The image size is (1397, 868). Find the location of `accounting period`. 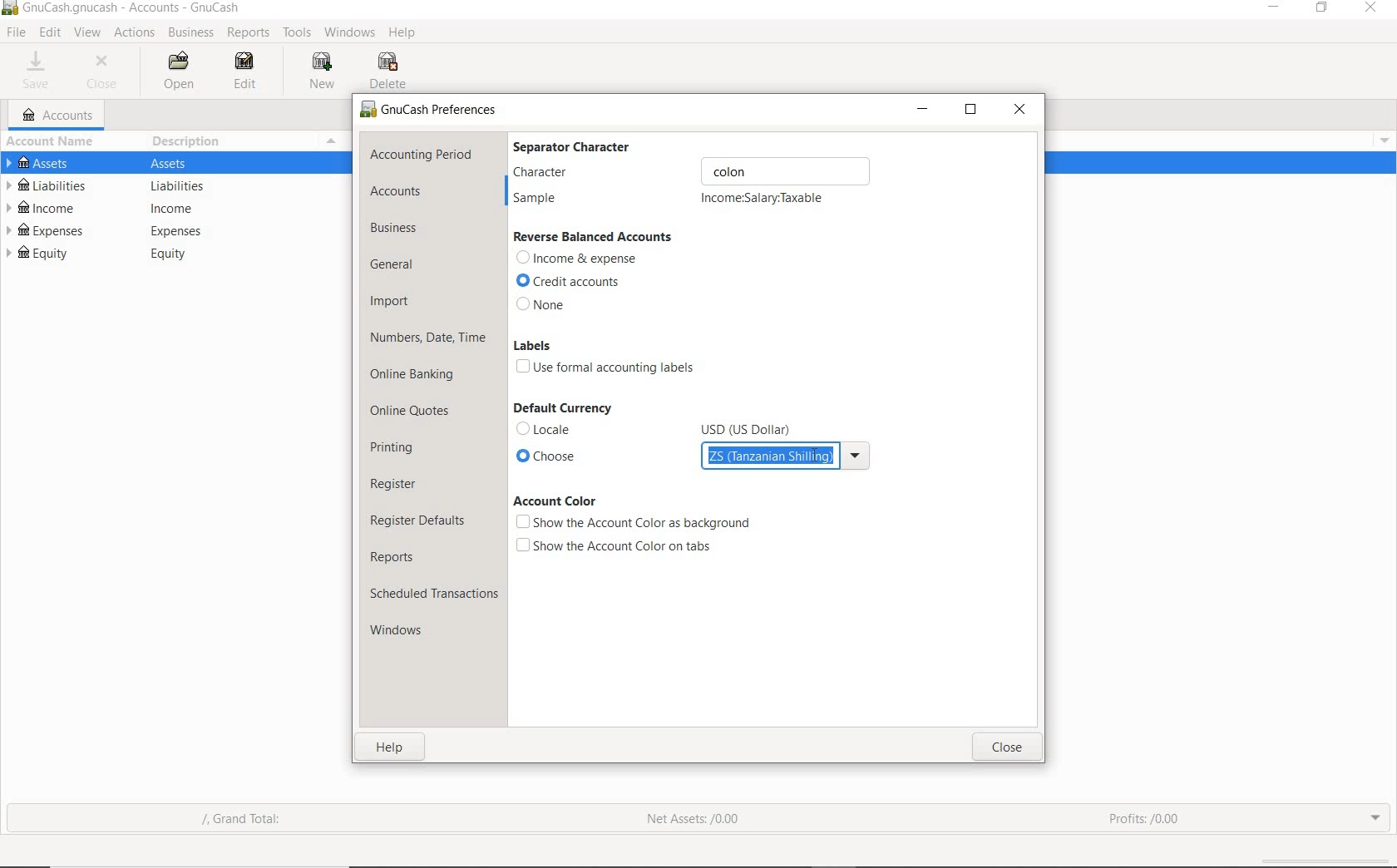

accounting period is located at coordinates (422, 154).